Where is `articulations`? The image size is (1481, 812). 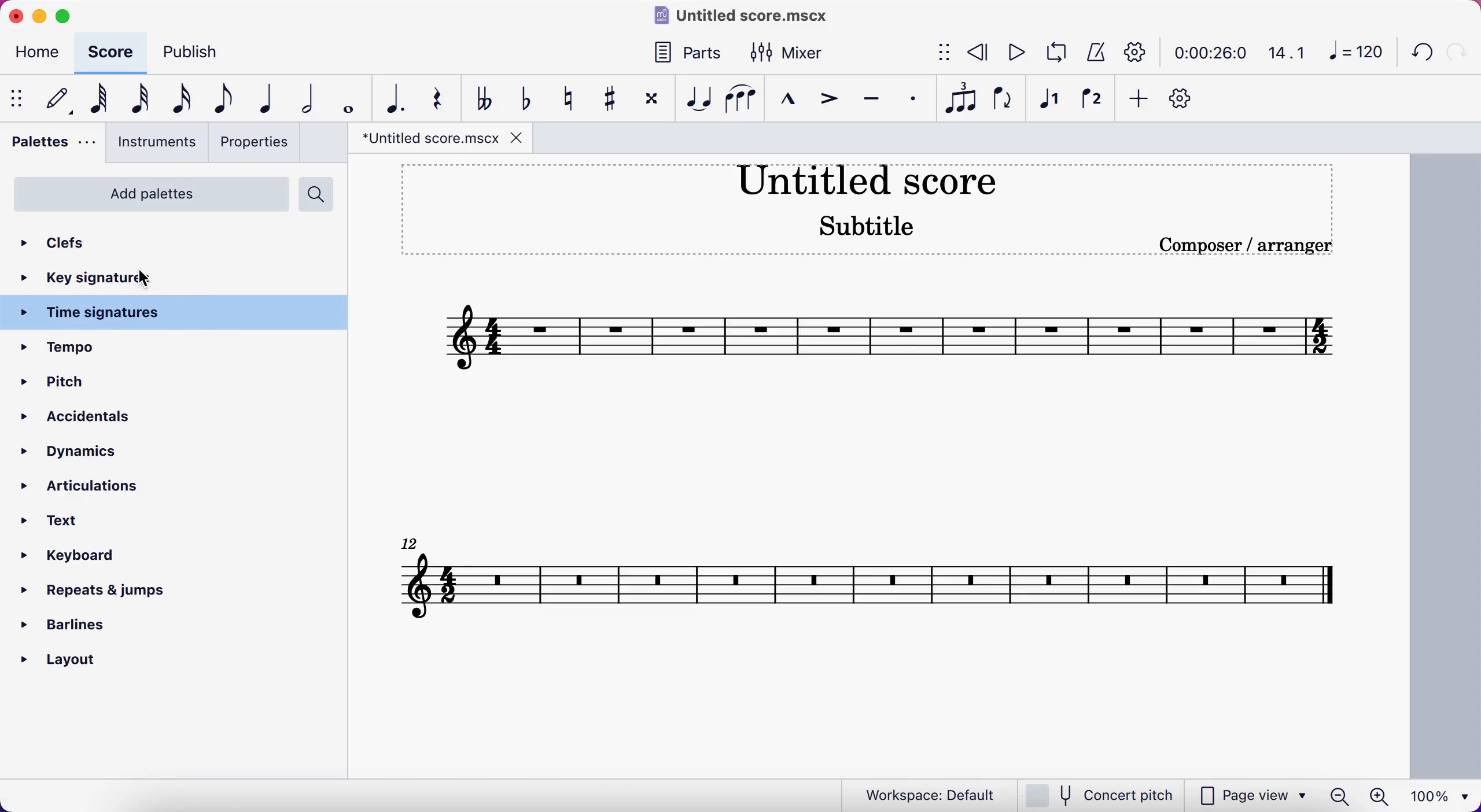 articulations is located at coordinates (84, 482).